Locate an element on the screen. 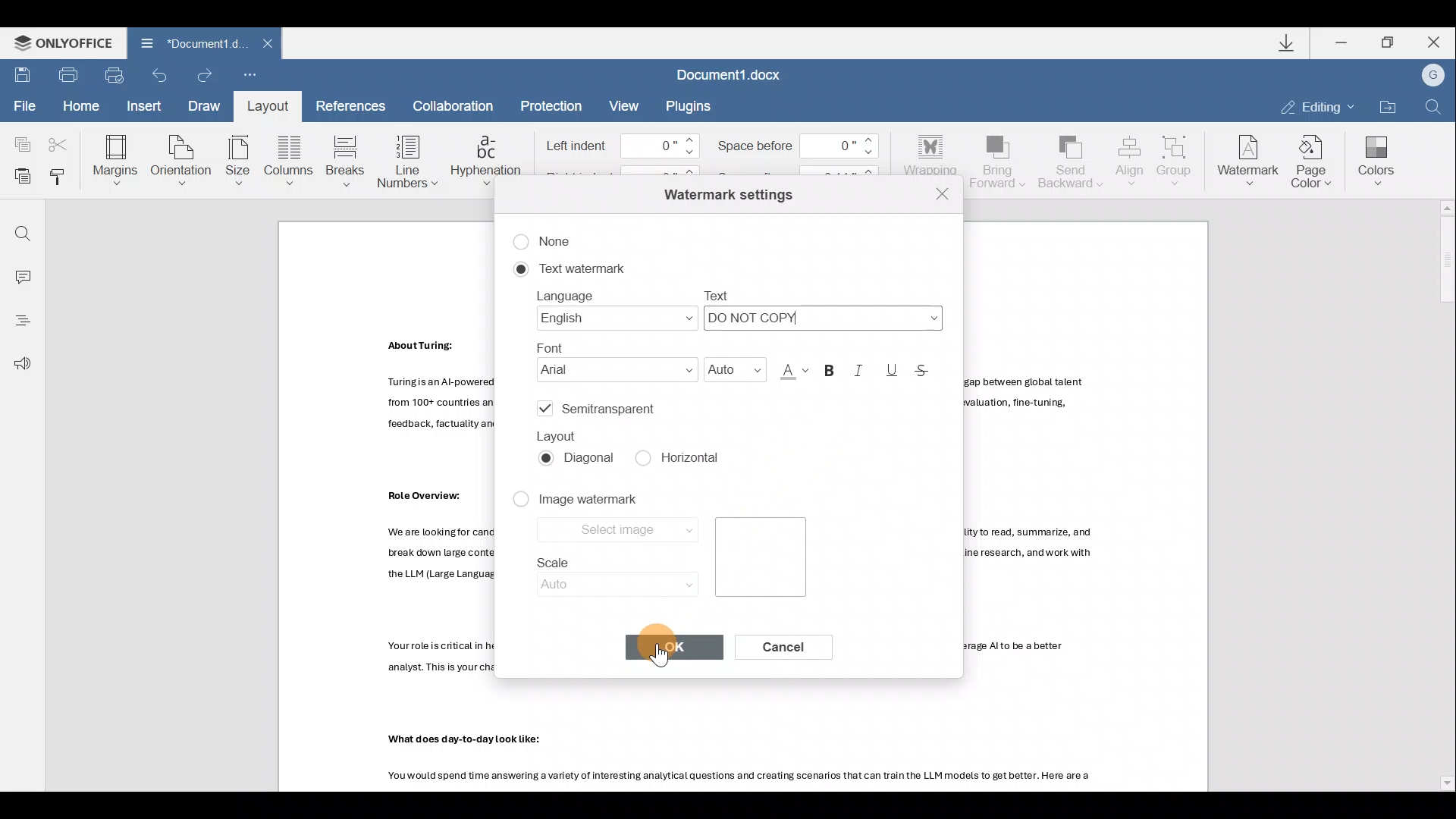 The image size is (1456, 819). Strikethrough is located at coordinates (932, 371).